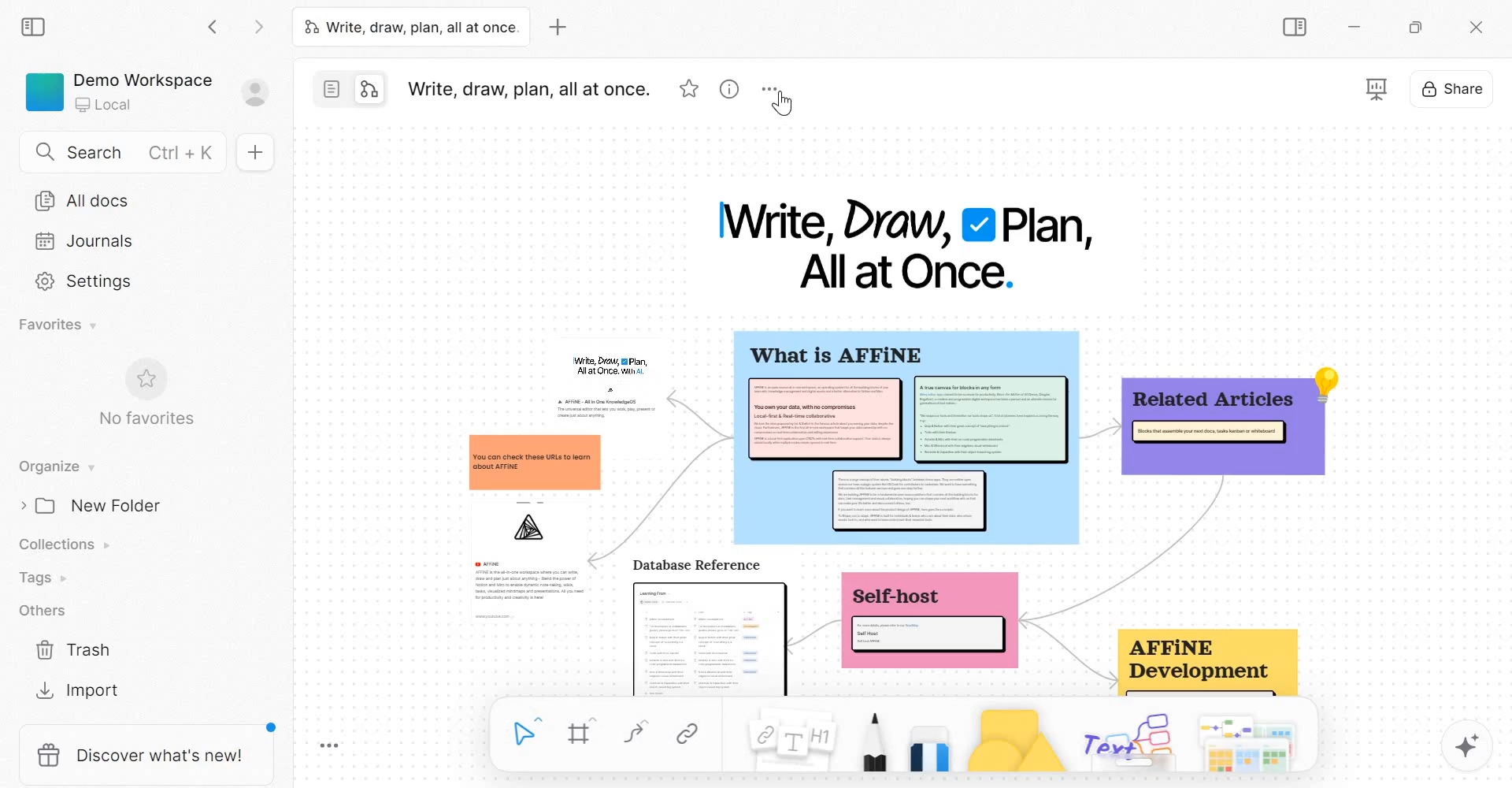 This screenshot has width=1512, height=788. What do you see at coordinates (1015, 739) in the screenshot?
I see `Shape` at bounding box center [1015, 739].